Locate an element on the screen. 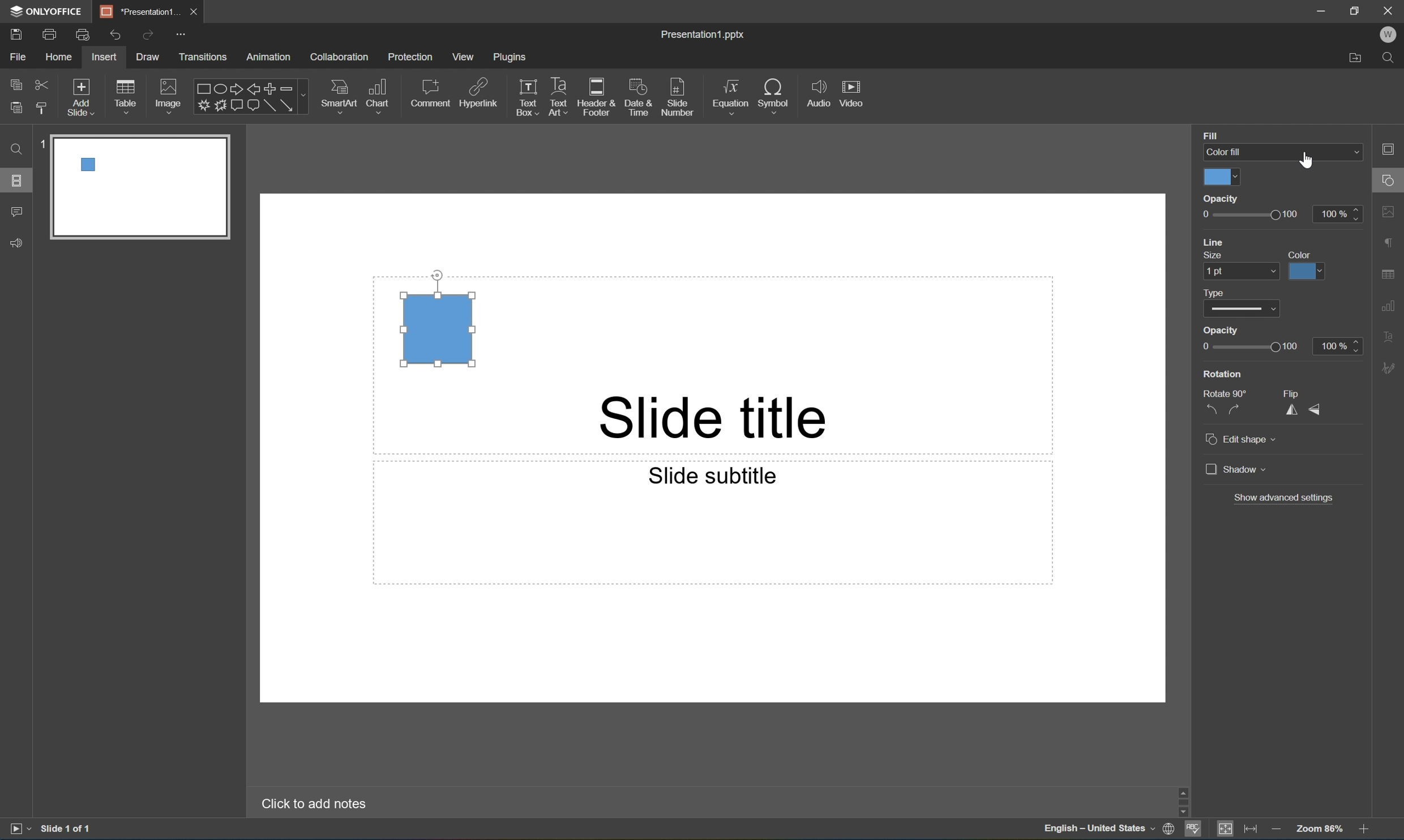 Image resolution: width=1404 pixels, height=840 pixels. Insert is located at coordinates (104, 57).